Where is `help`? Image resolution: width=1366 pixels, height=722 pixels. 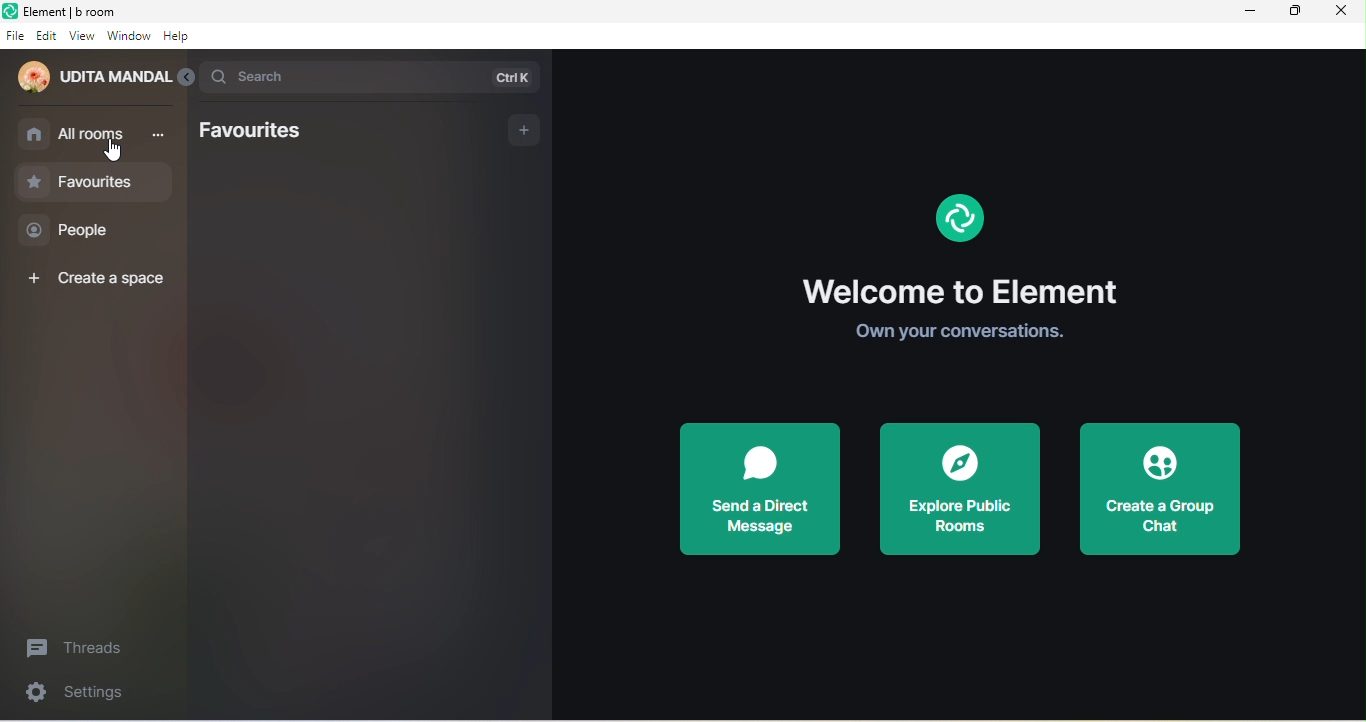 help is located at coordinates (179, 37).